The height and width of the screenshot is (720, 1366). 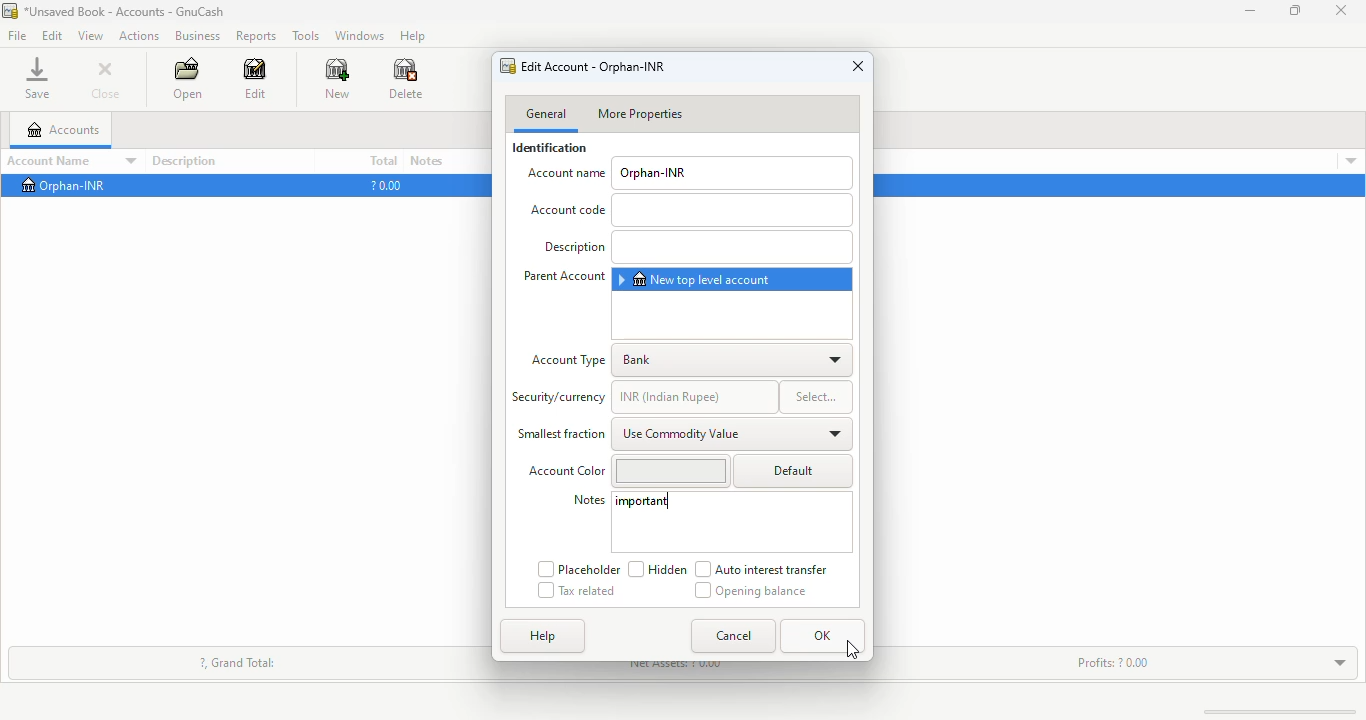 I want to click on general, so click(x=546, y=115).